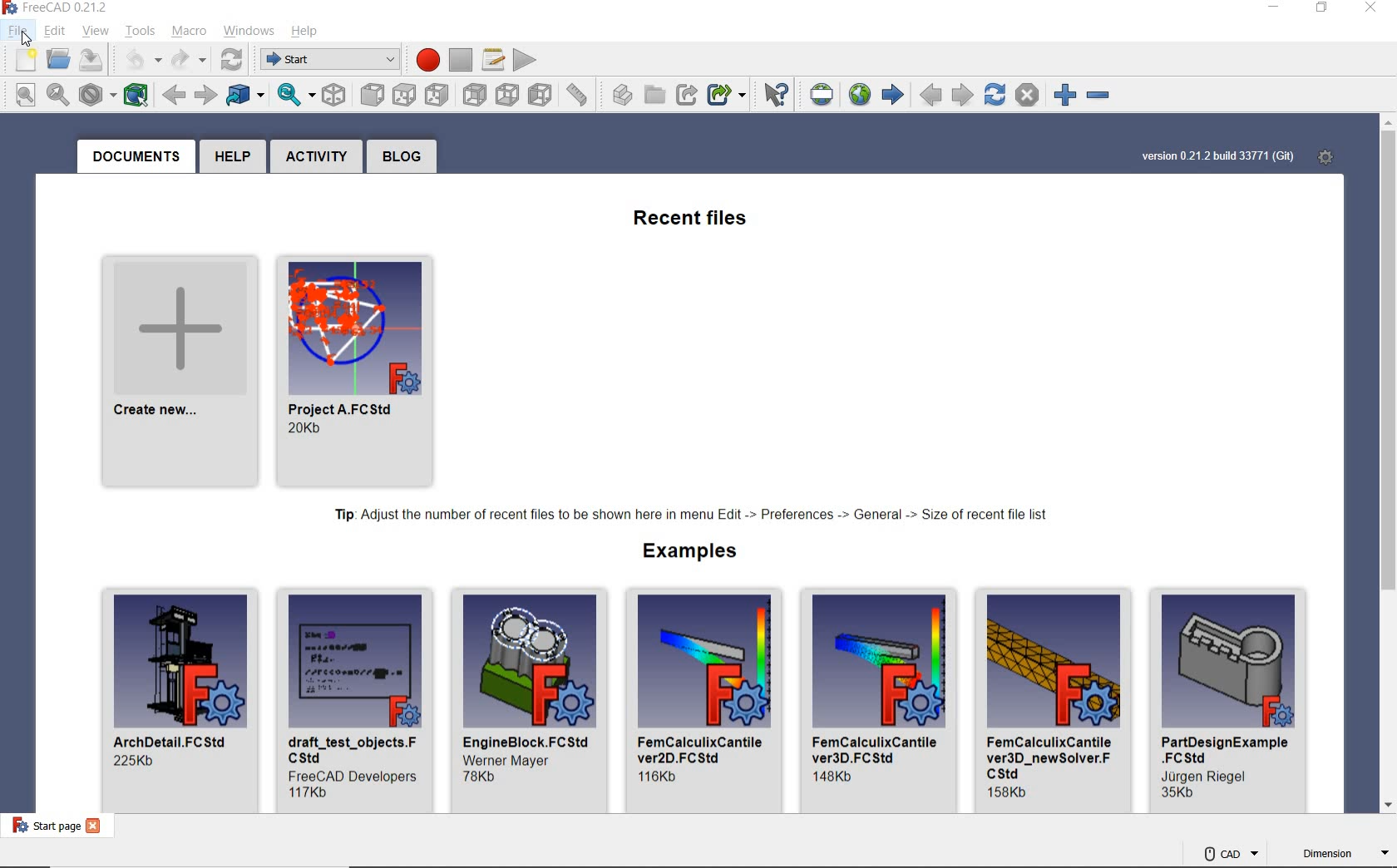 The height and width of the screenshot is (868, 1397). Describe the element at coordinates (56, 32) in the screenshot. I see `EDIT` at that location.